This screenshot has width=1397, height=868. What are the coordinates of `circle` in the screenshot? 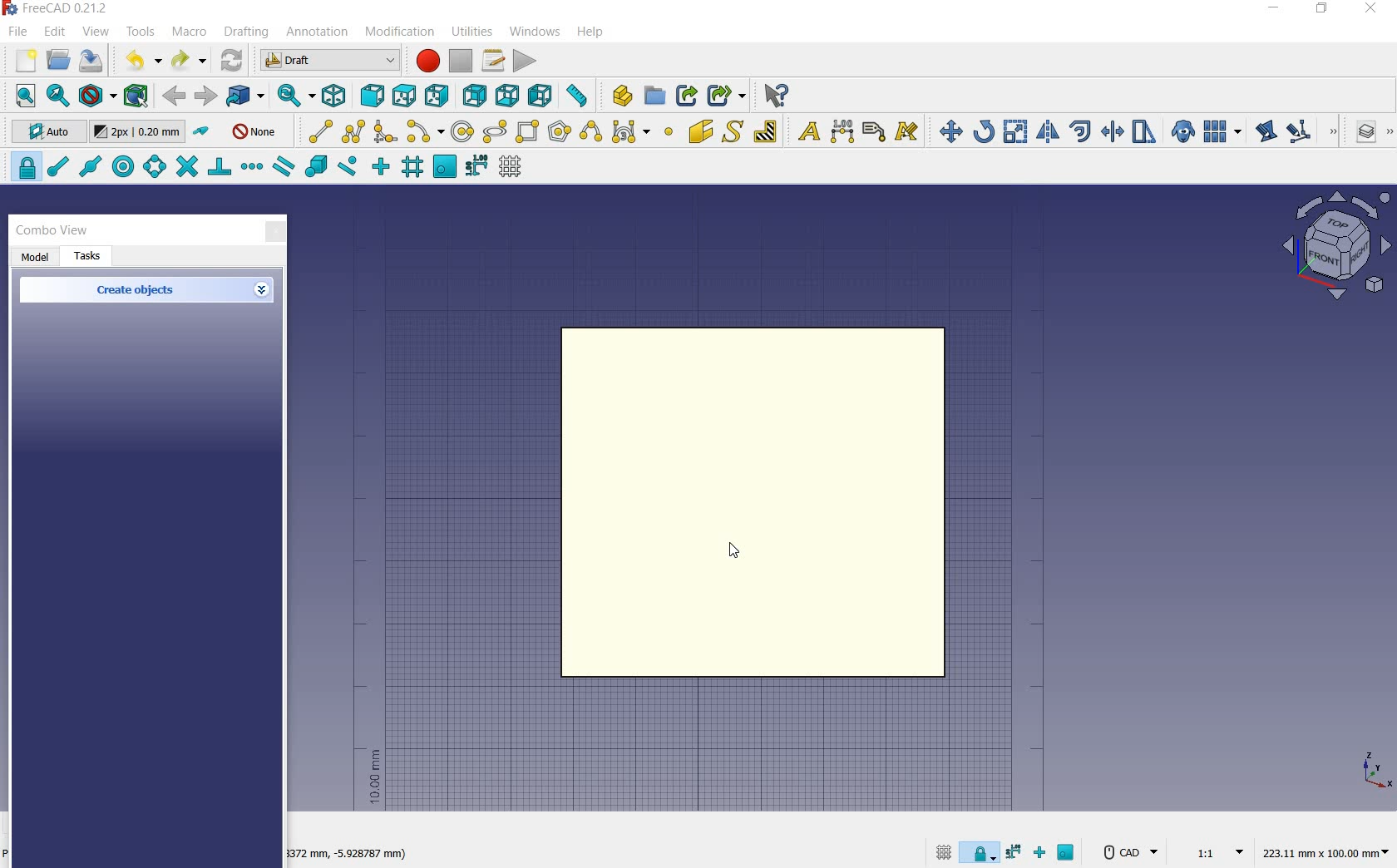 It's located at (463, 132).